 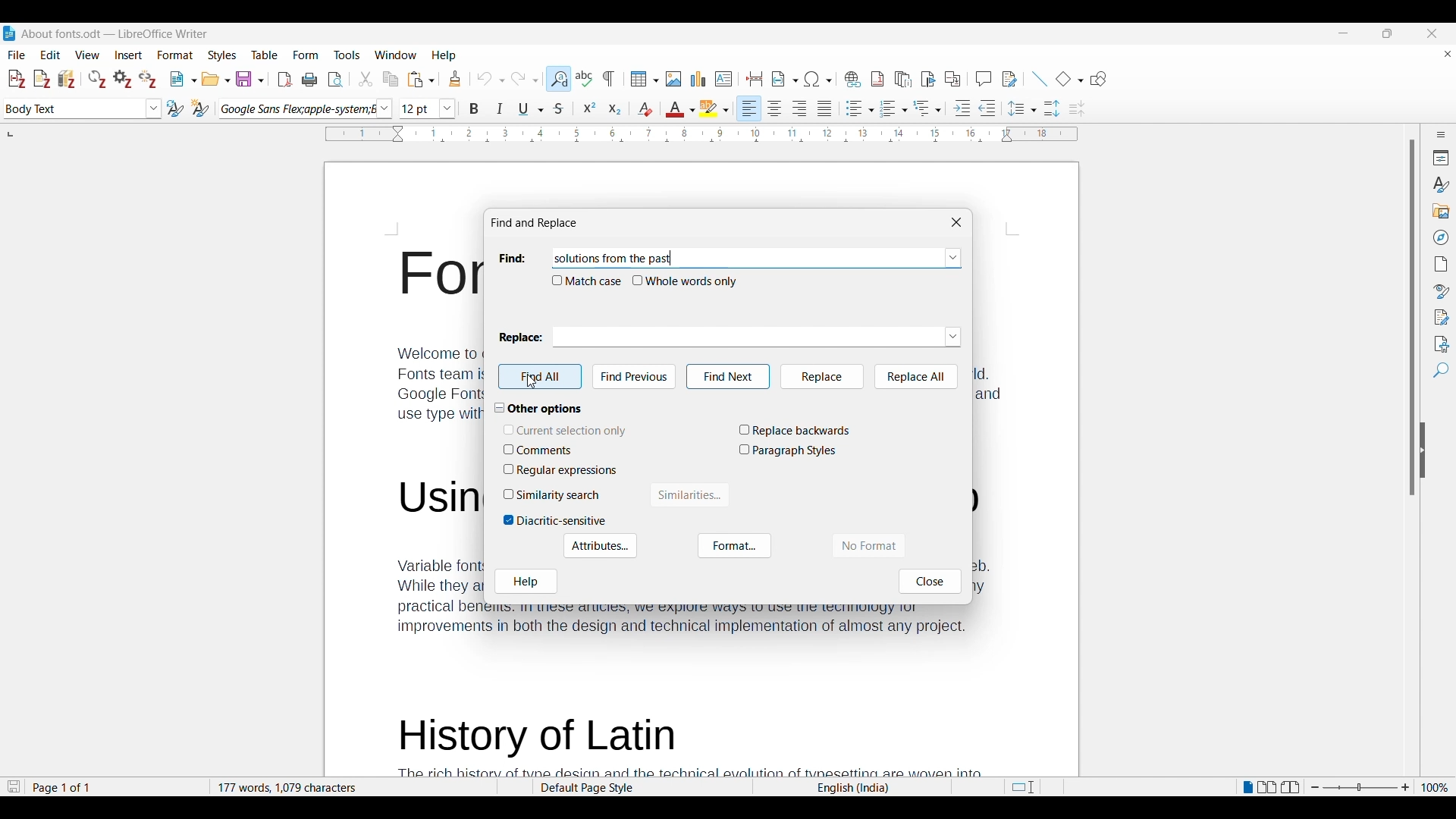 What do you see at coordinates (1406, 788) in the screenshot?
I see `Zoom in` at bounding box center [1406, 788].